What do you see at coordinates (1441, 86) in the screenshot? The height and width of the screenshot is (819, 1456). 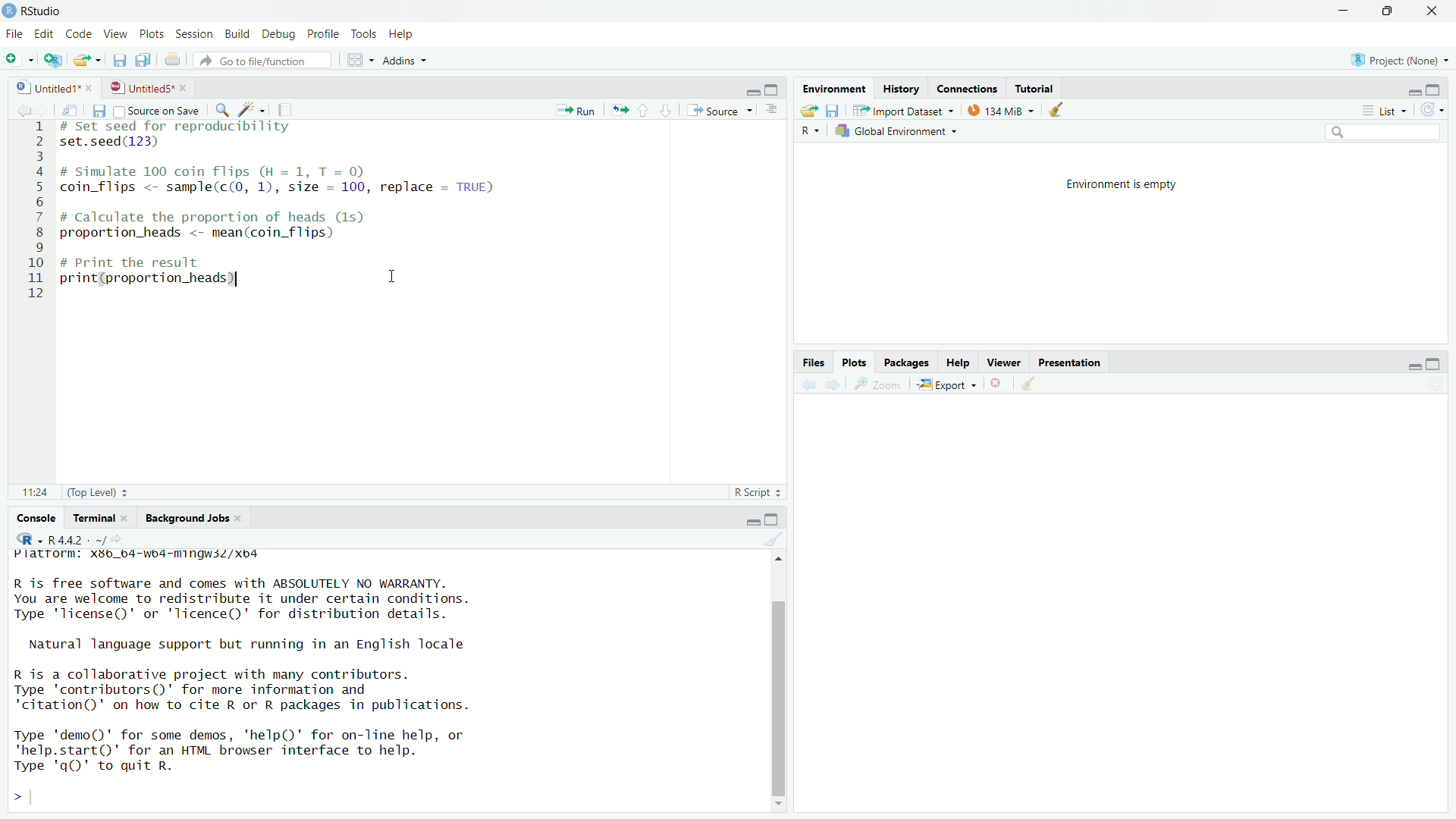 I see `maximize` at bounding box center [1441, 86].